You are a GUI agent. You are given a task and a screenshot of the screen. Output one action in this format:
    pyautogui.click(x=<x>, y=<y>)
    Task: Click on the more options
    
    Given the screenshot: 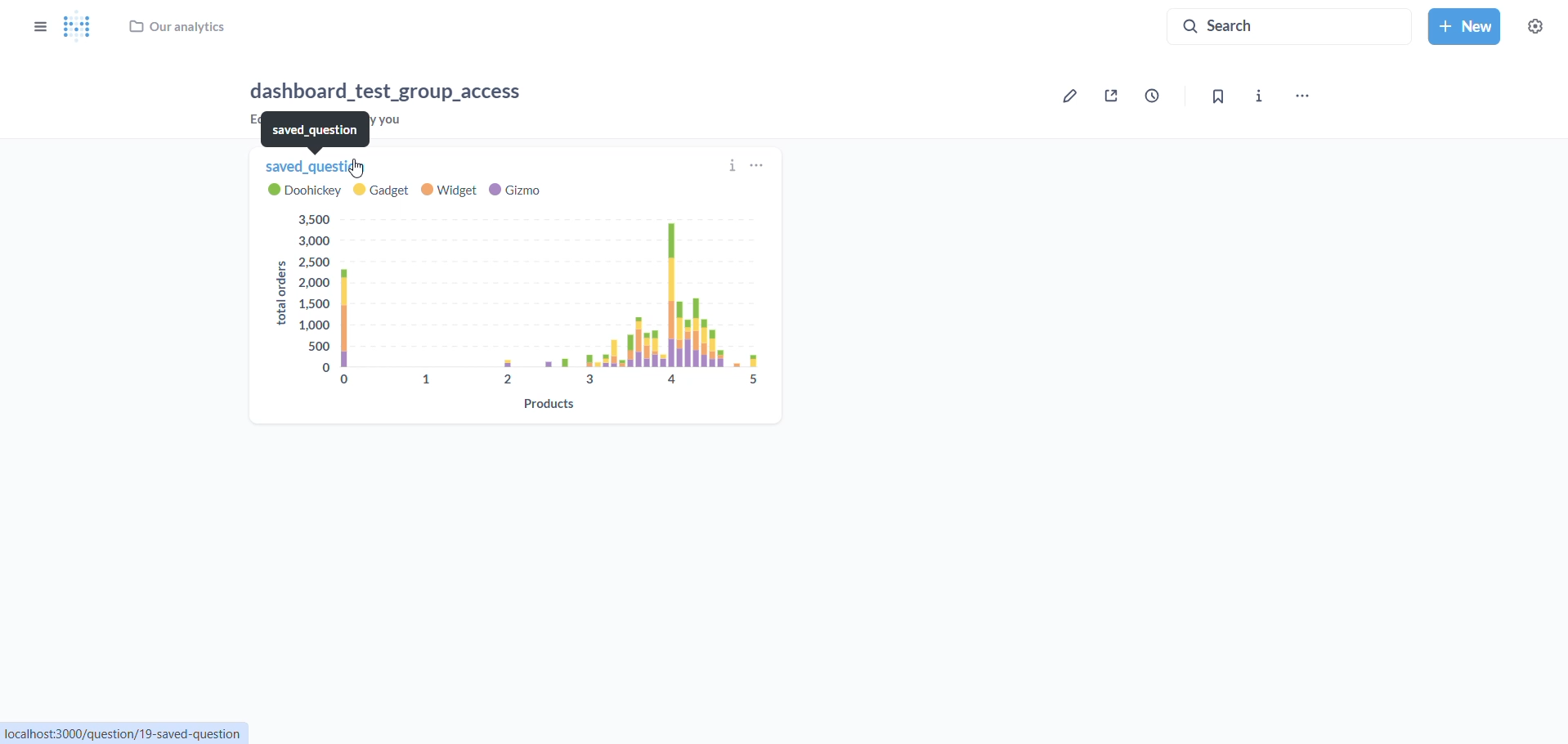 What is the action you would take?
    pyautogui.click(x=1308, y=98)
    